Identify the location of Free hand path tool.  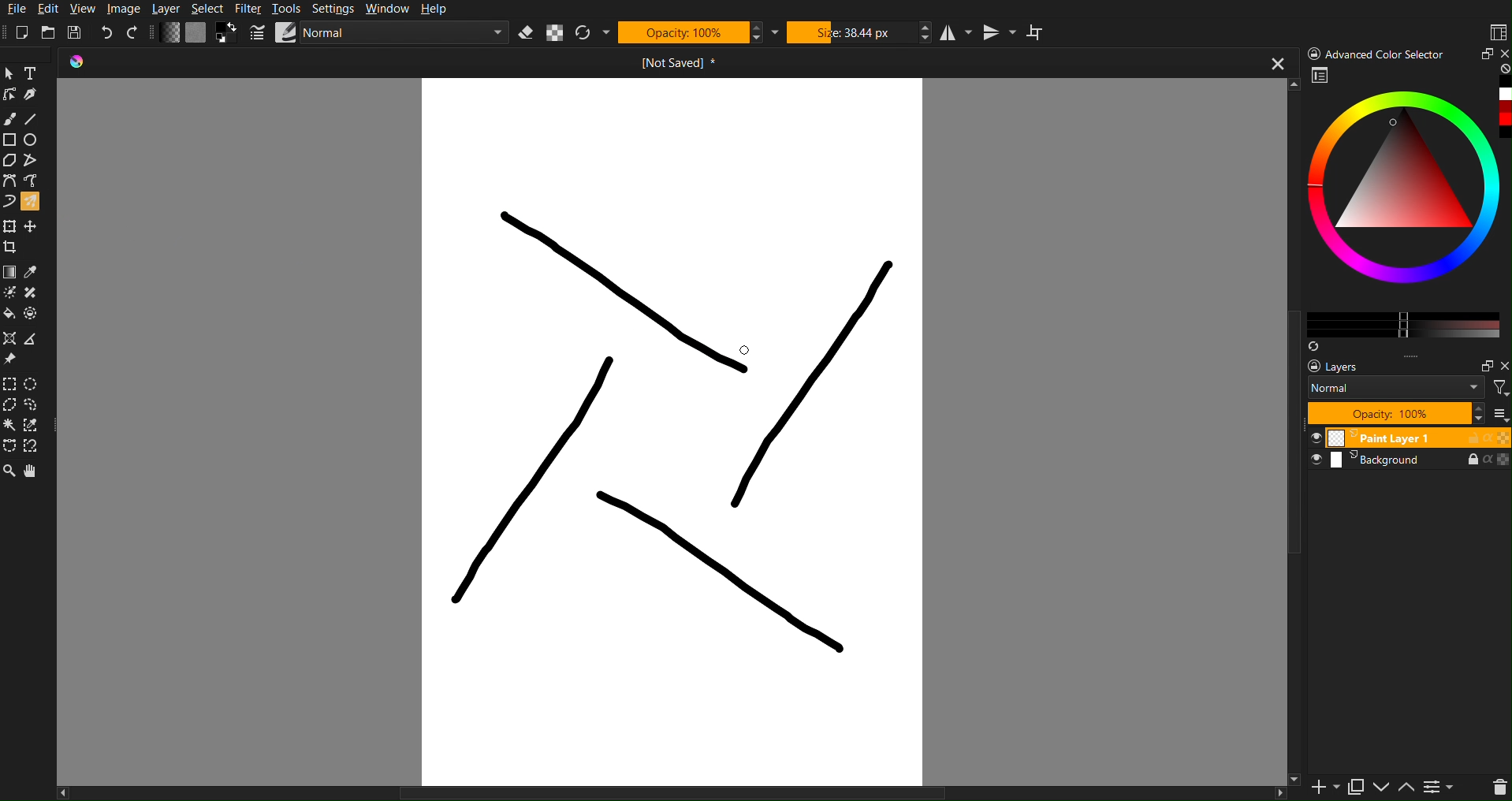
(31, 180).